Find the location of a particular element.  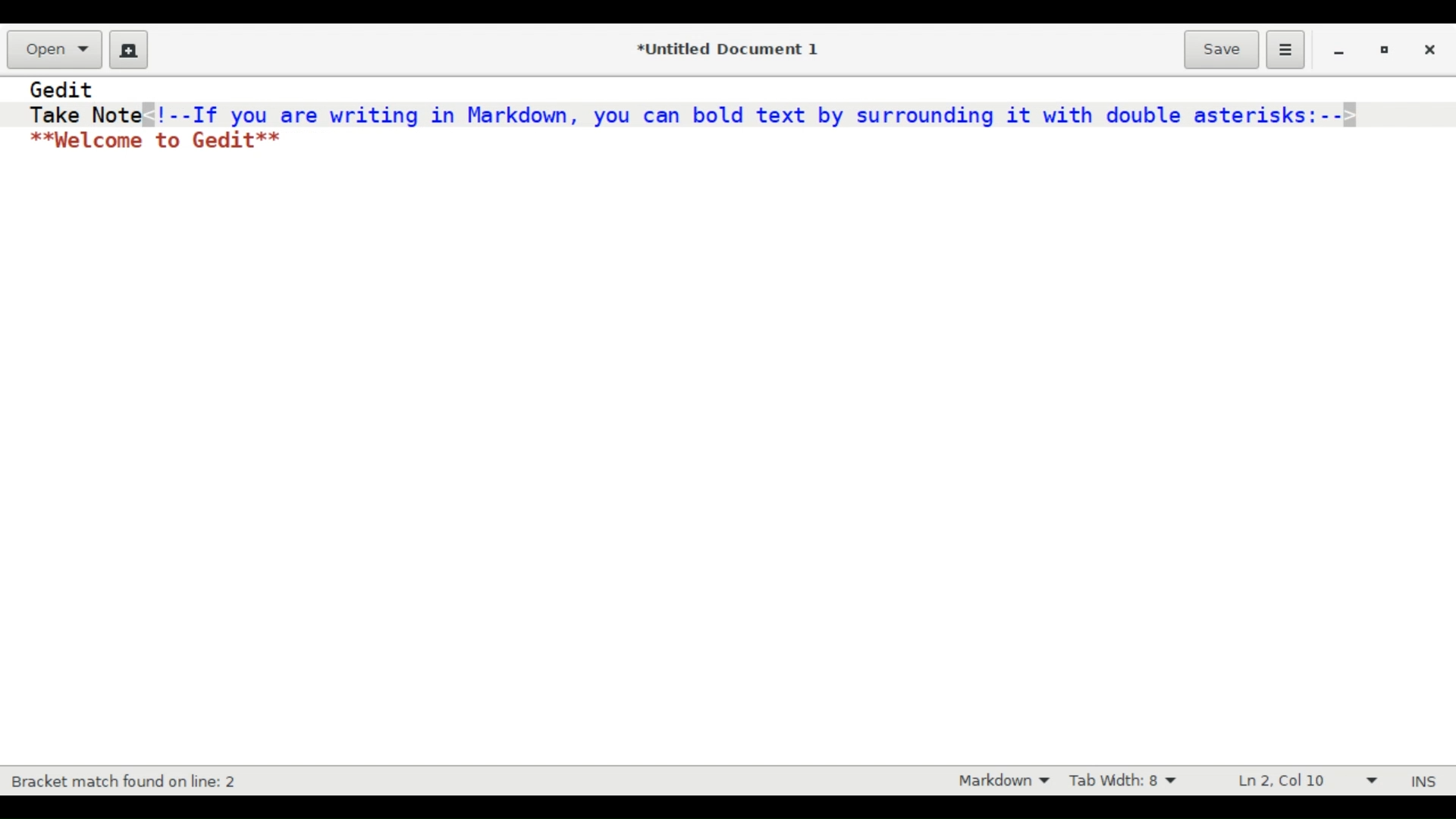

Line & Column Preference is located at coordinates (1304, 781).